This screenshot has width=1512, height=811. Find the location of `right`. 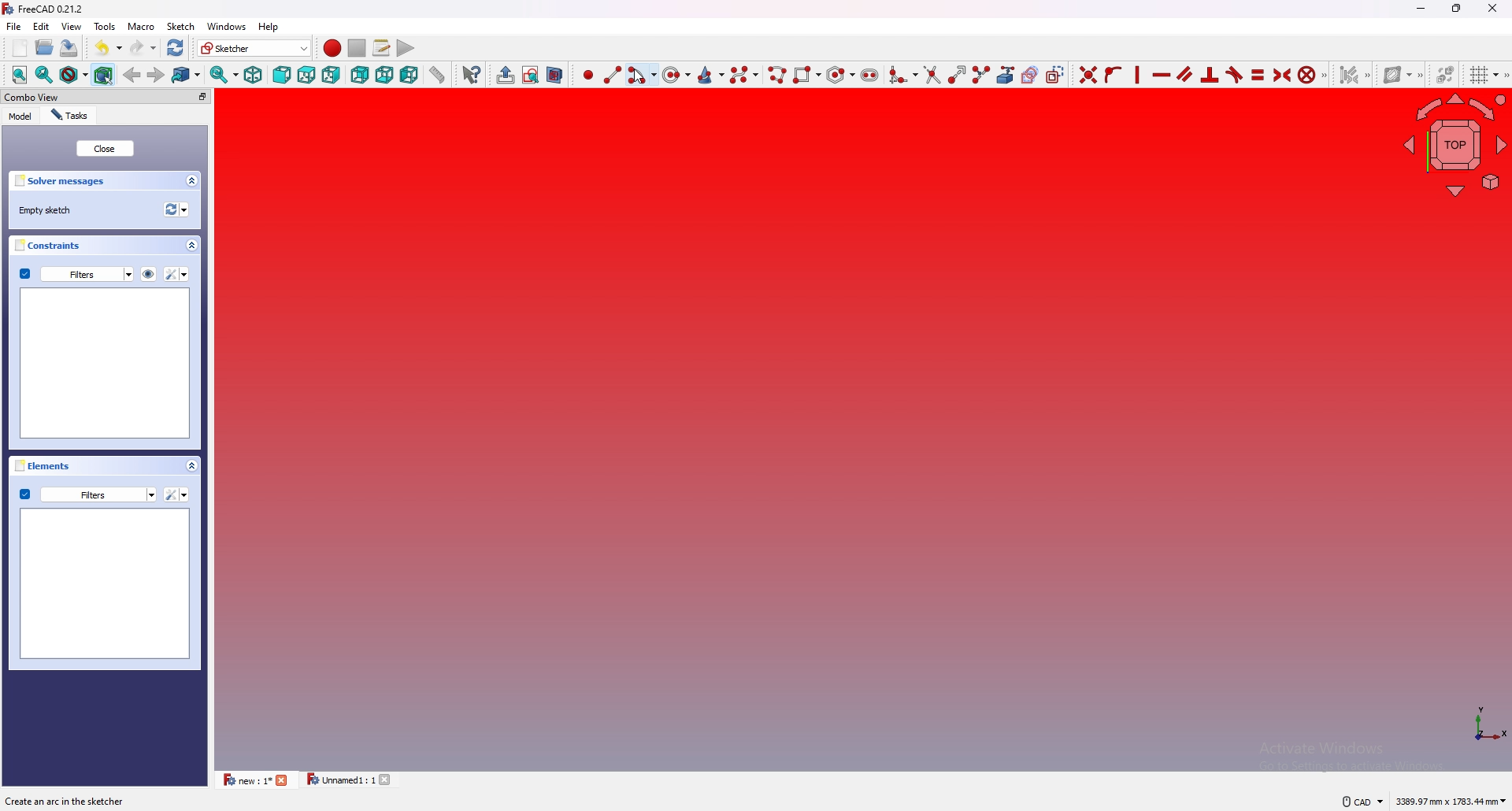

right is located at coordinates (332, 75).